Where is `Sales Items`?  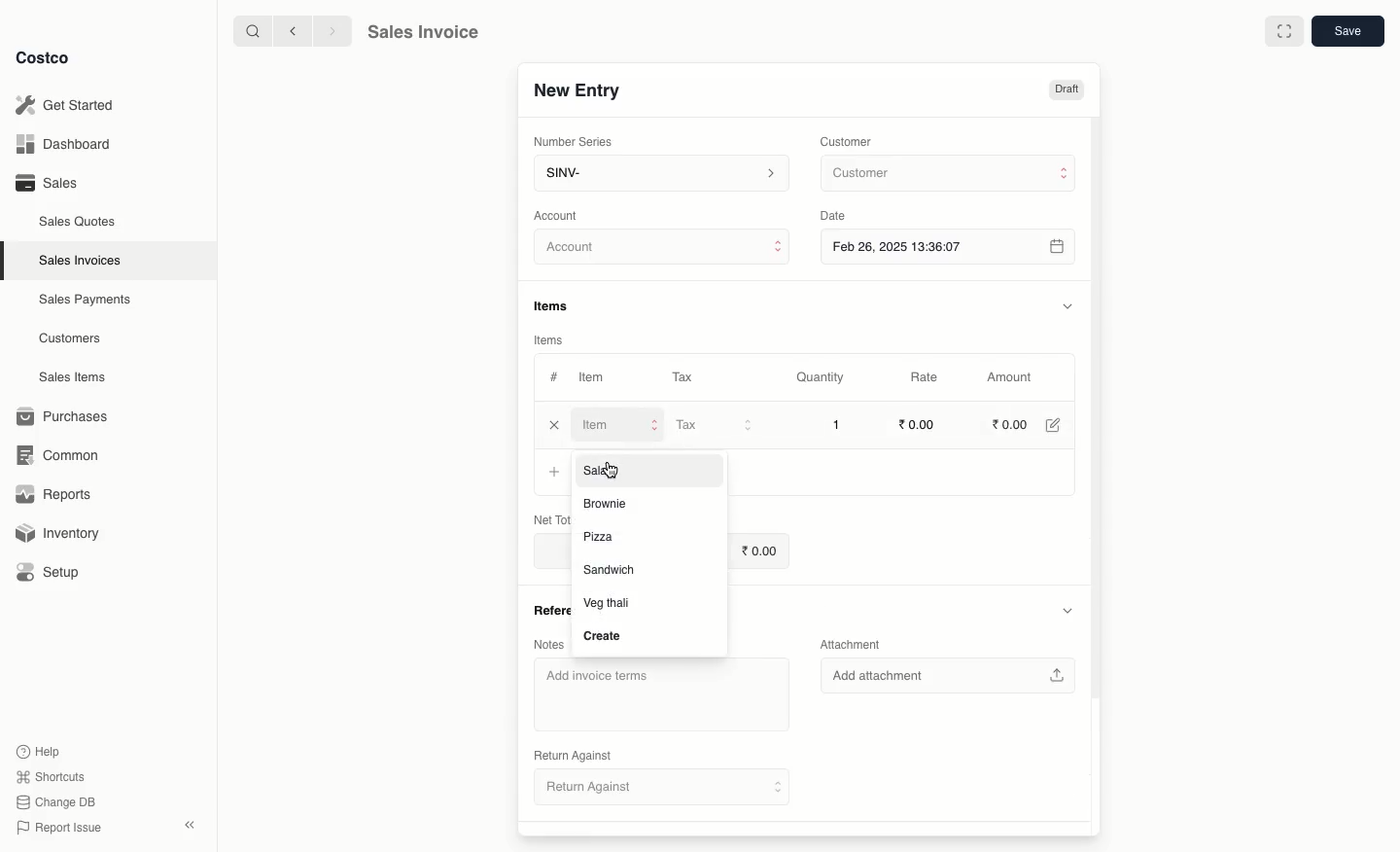 Sales Items is located at coordinates (77, 377).